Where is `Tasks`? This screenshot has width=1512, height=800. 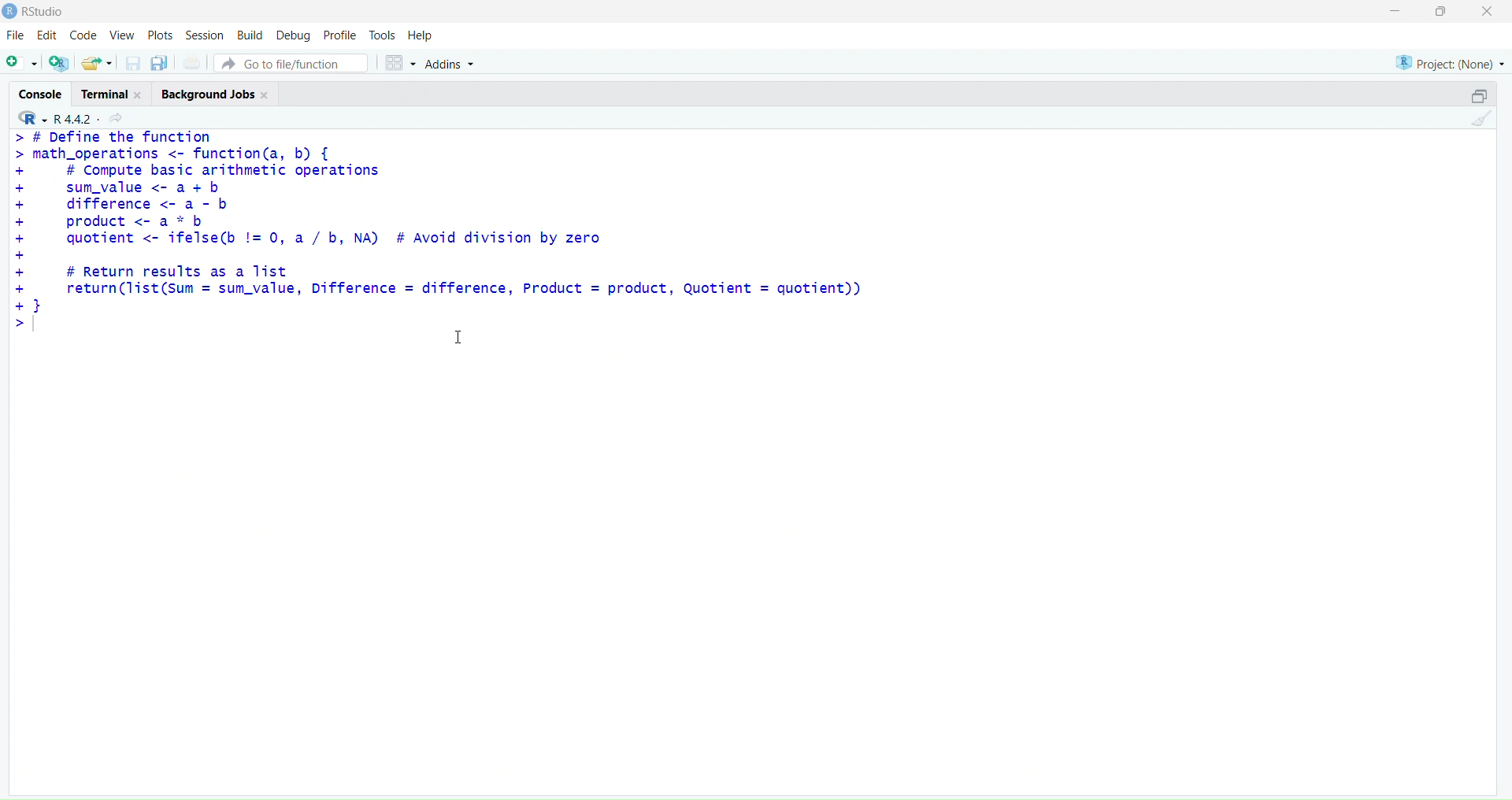
Tasks is located at coordinates (382, 34).